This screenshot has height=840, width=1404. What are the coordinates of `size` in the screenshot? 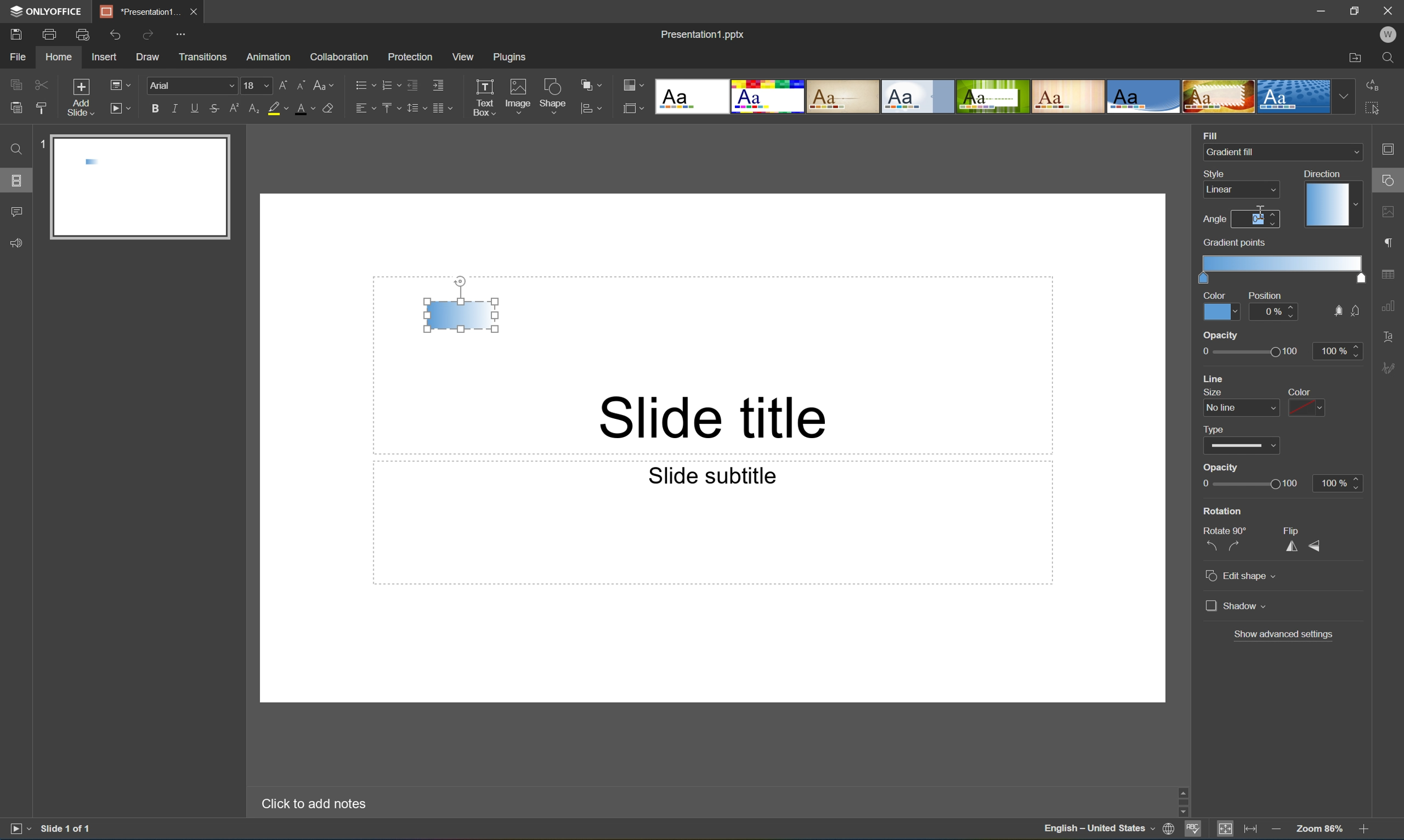 It's located at (1210, 392).